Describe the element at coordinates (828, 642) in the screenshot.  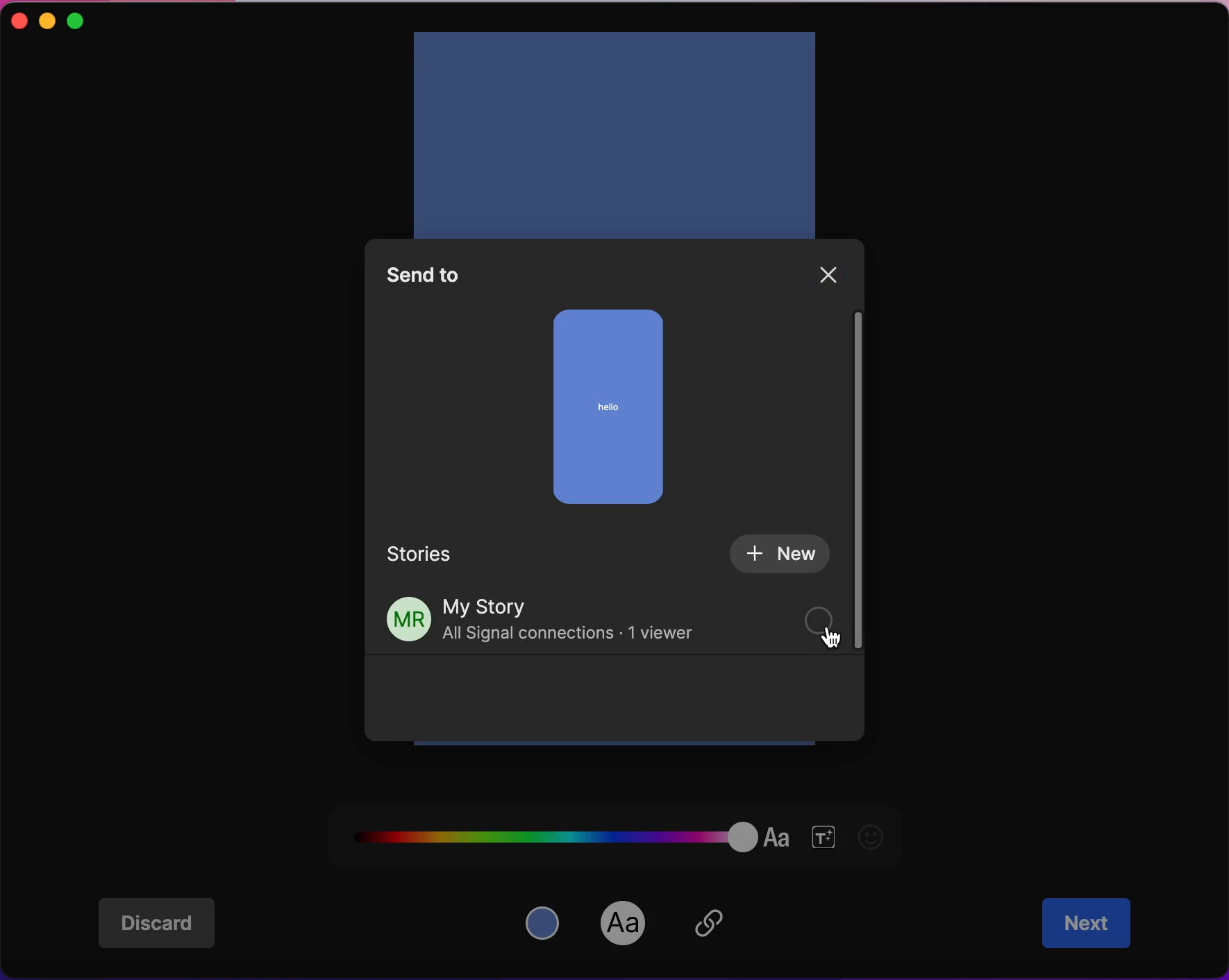
I see `cursor` at that location.